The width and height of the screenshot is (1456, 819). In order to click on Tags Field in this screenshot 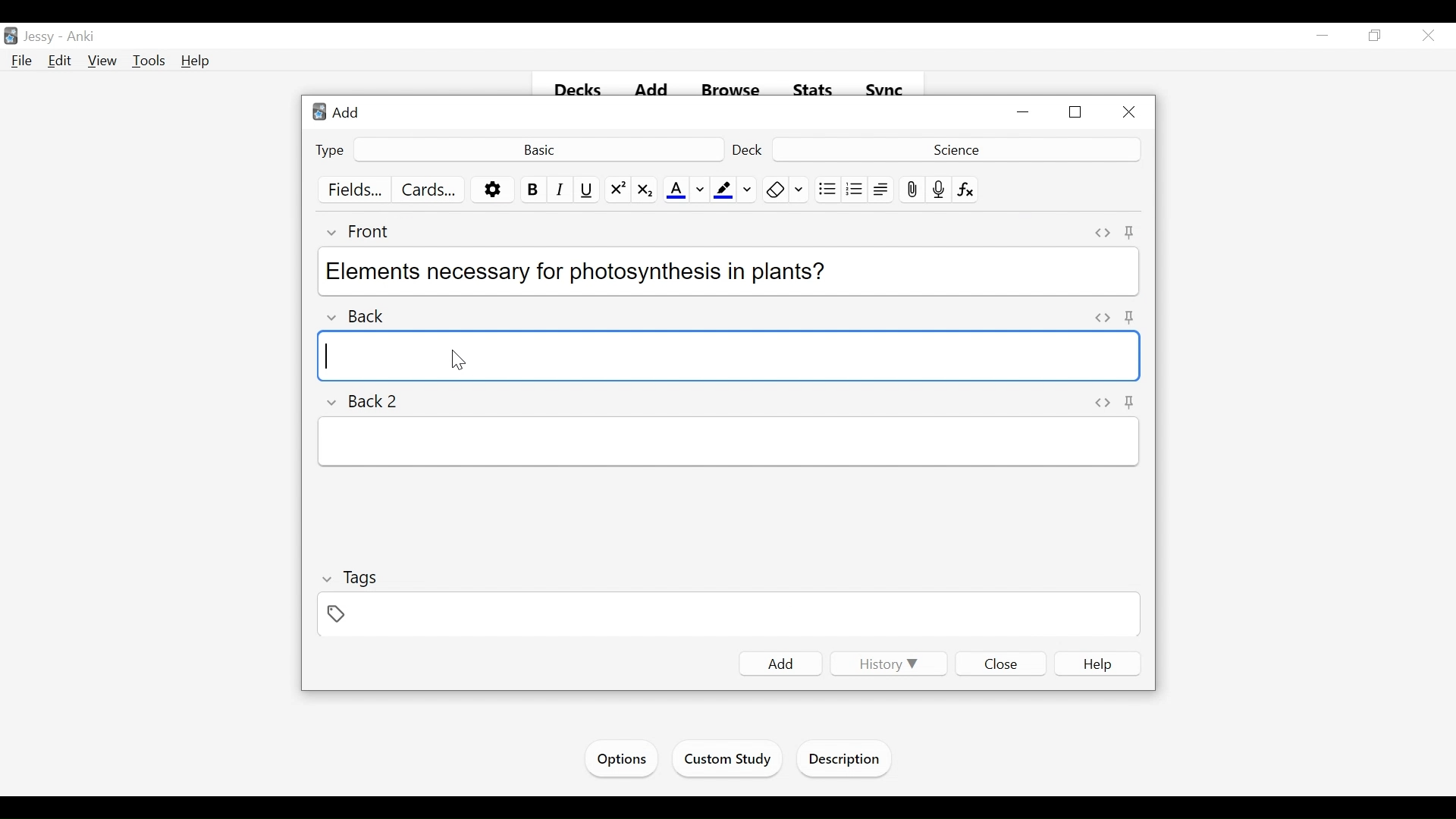, I will do `click(730, 616)`.